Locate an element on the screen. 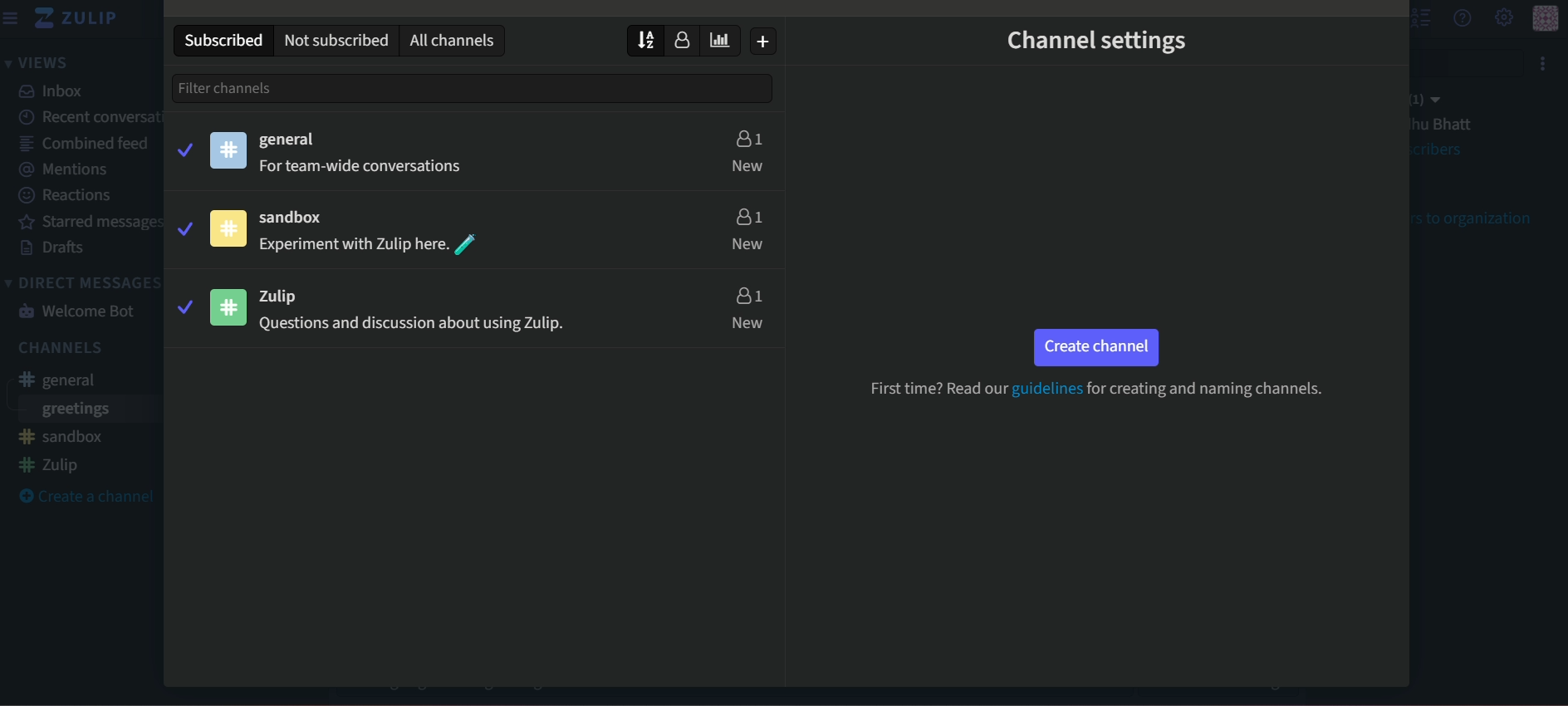  tick is located at coordinates (179, 150).